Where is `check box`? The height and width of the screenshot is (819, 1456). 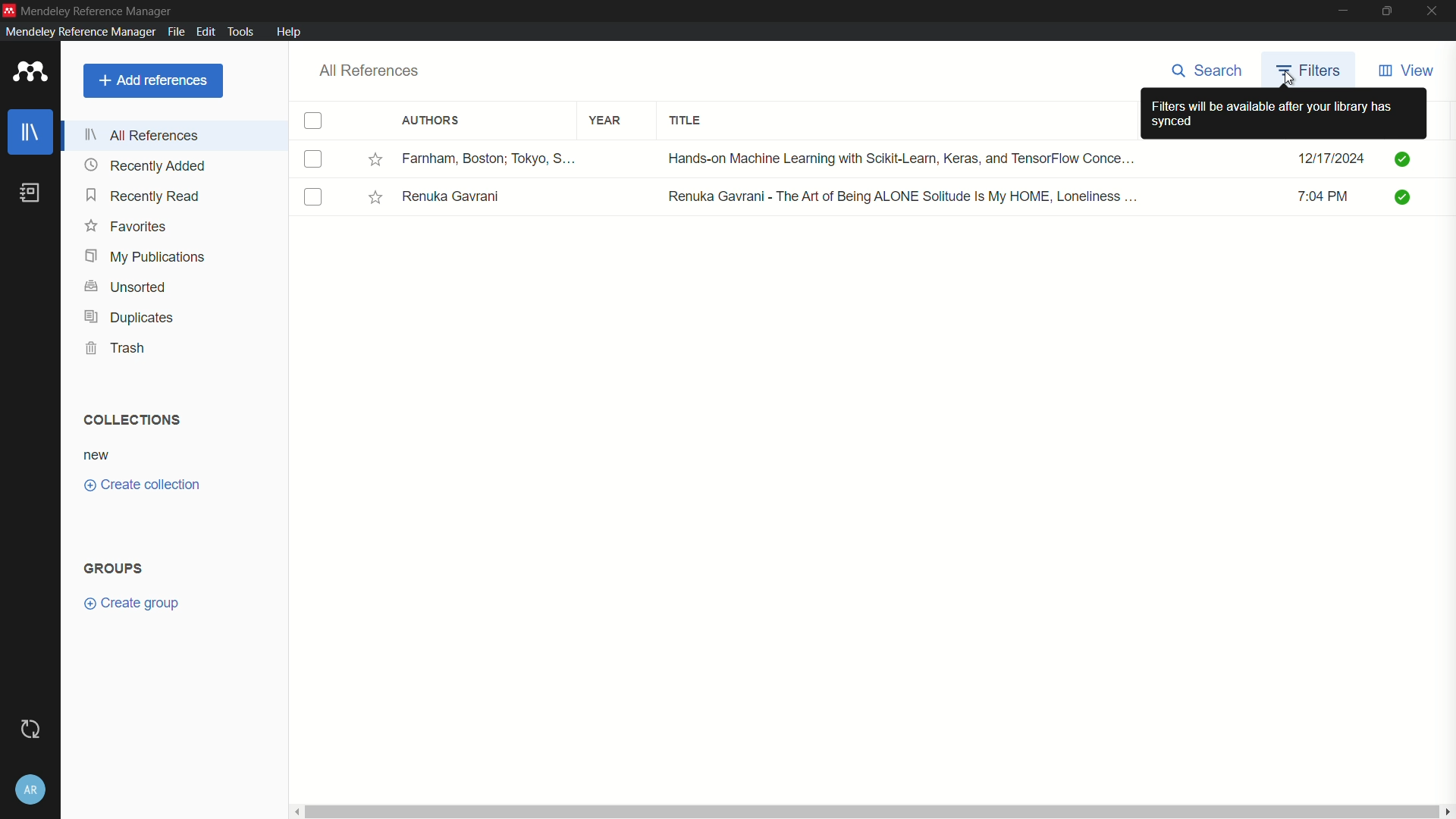
check box is located at coordinates (315, 159).